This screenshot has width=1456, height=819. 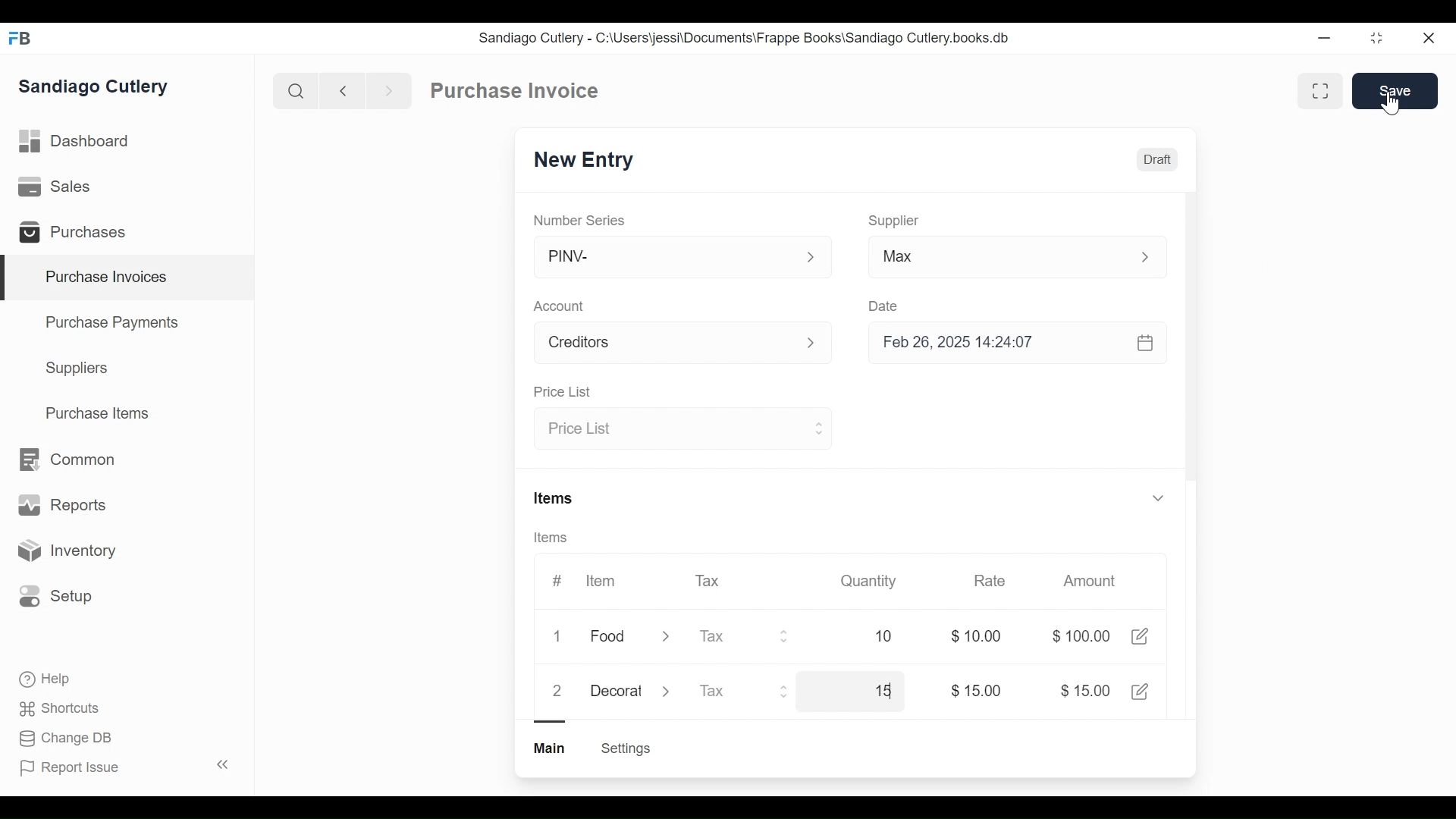 What do you see at coordinates (1081, 636) in the screenshot?
I see `$100.00` at bounding box center [1081, 636].